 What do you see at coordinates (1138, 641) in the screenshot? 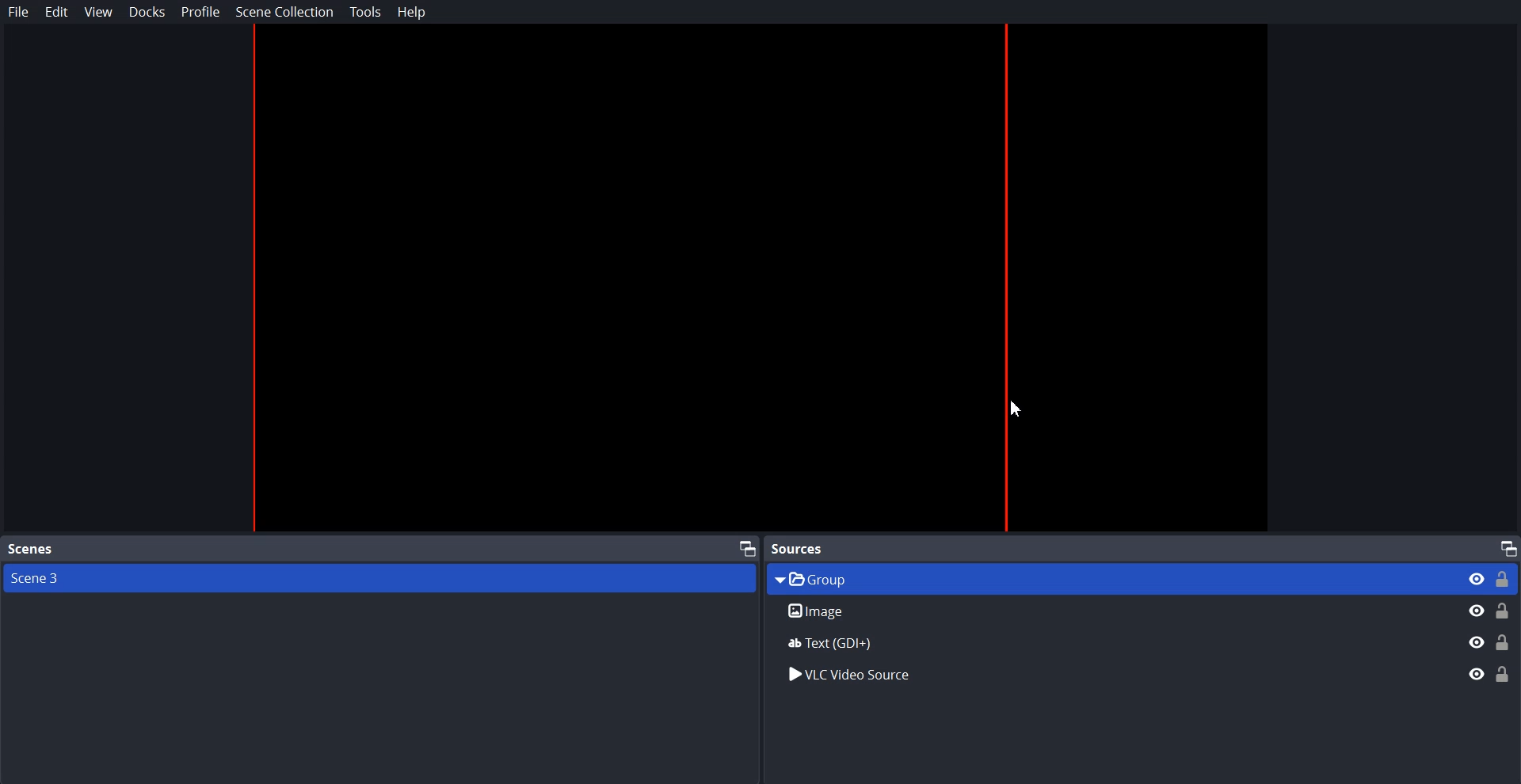
I see `` at bounding box center [1138, 641].